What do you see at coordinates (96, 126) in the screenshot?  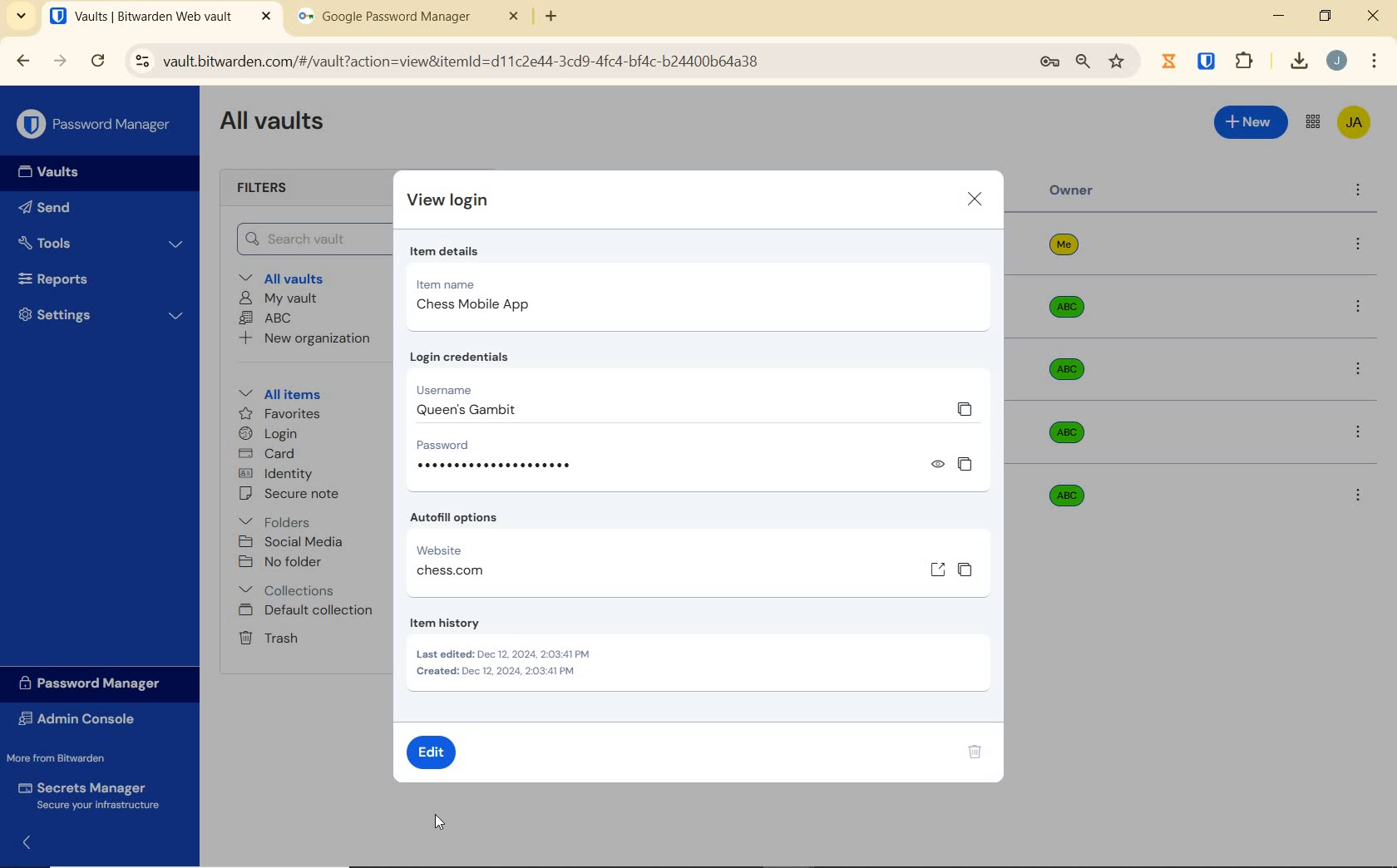 I see `Password Manager` at bounding box center [96, 126].